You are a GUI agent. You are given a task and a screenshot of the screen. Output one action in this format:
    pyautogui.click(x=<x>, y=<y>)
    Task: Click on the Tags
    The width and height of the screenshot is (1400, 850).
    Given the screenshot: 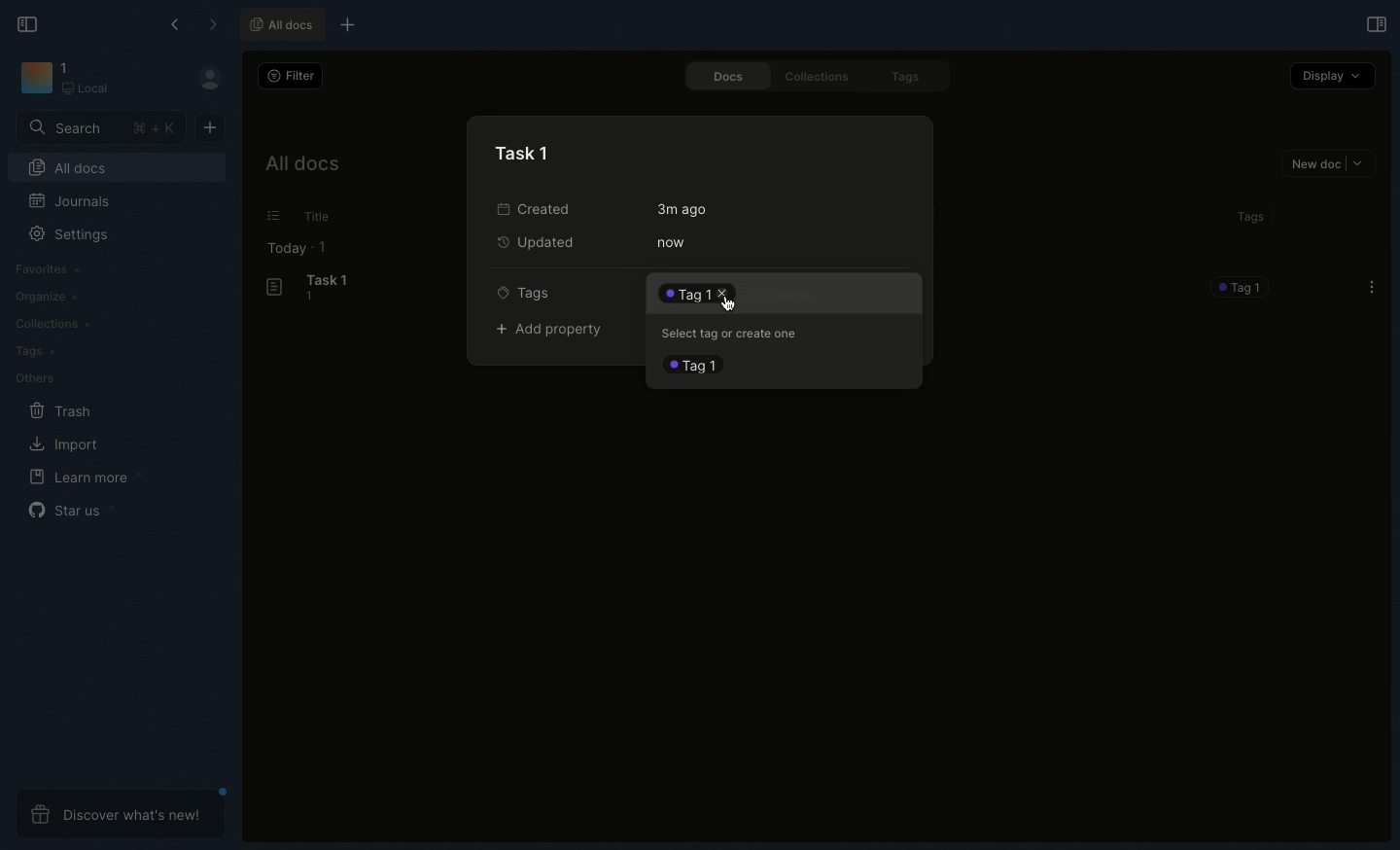 What is the action you would take?
    pyautogui.click(x=31, y=350)
    